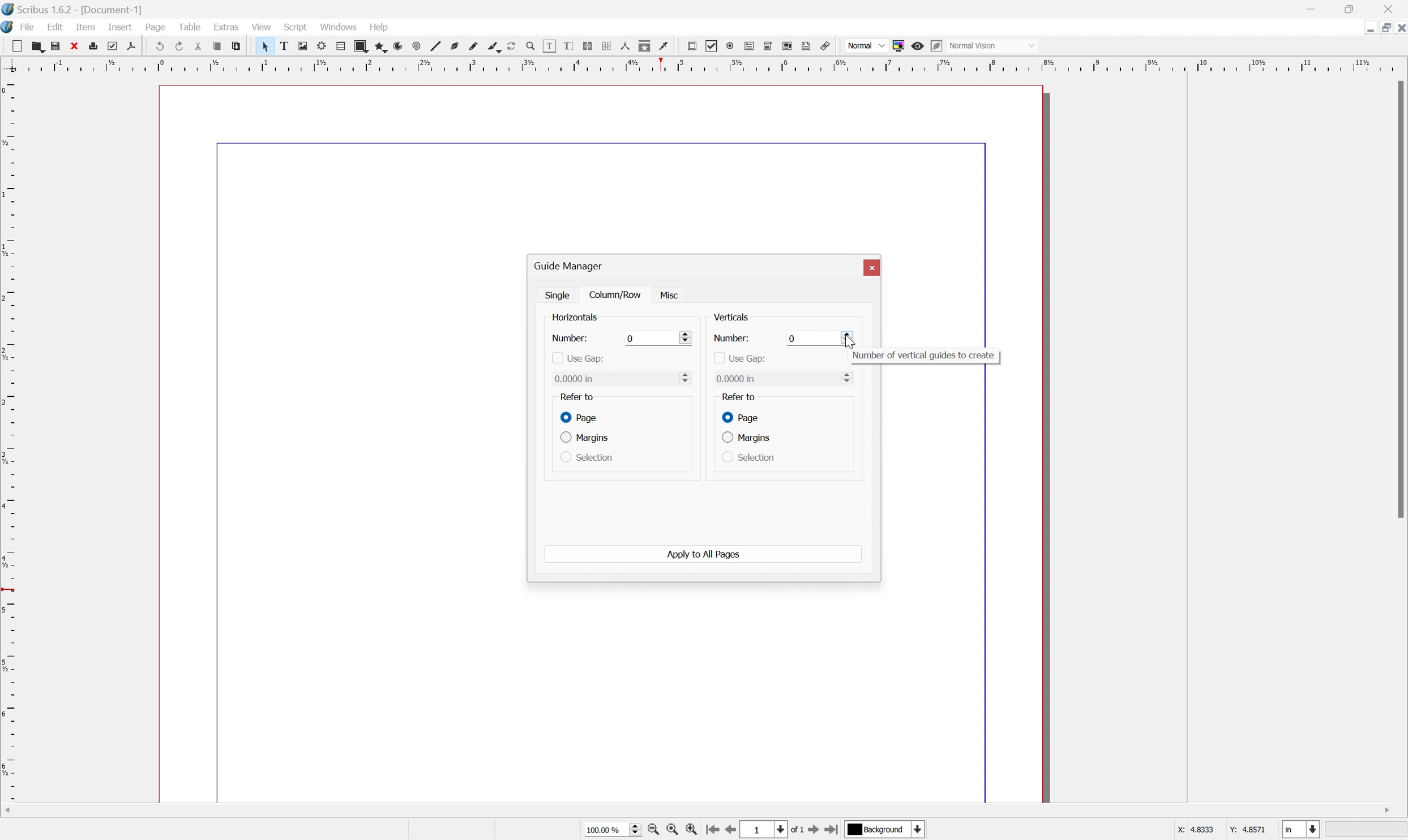 The image size is (1408, 840). Describe the element at coordinates (72, 8) in the screenshot. I see `scribus 1.6.2 - [document-1]` at that location.